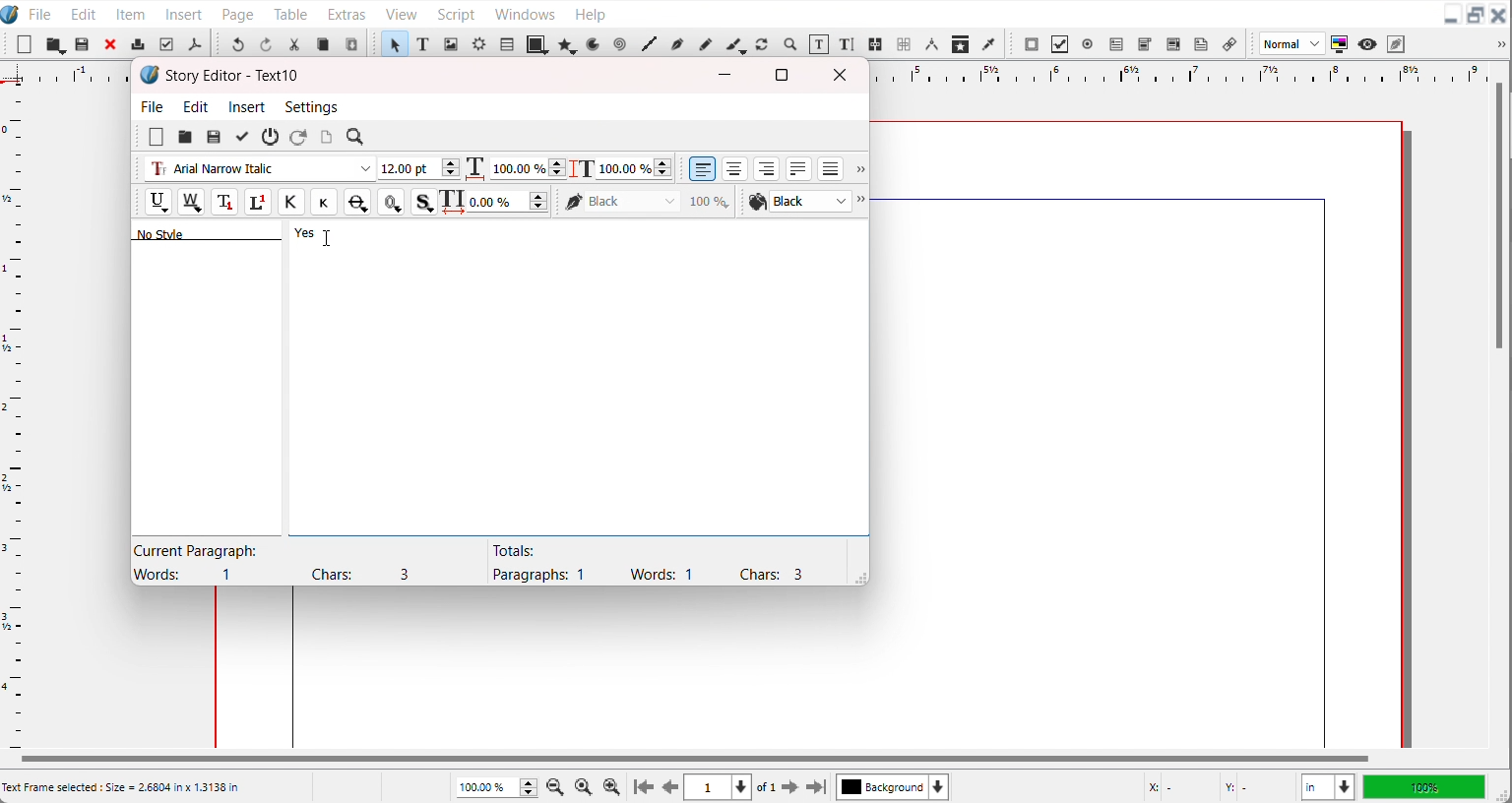  What do you see at coordinates (618, 44) in the screenshot?
I see `Spiral` at bounding box center [618, 44].